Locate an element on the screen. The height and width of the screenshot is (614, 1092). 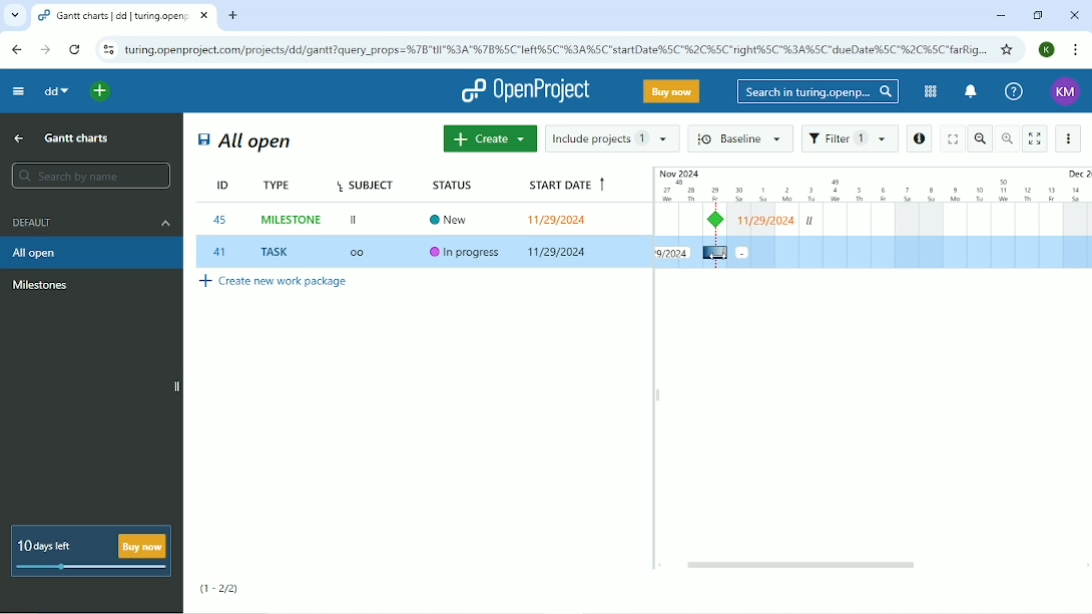
ll is located at coordinates (810, 221).